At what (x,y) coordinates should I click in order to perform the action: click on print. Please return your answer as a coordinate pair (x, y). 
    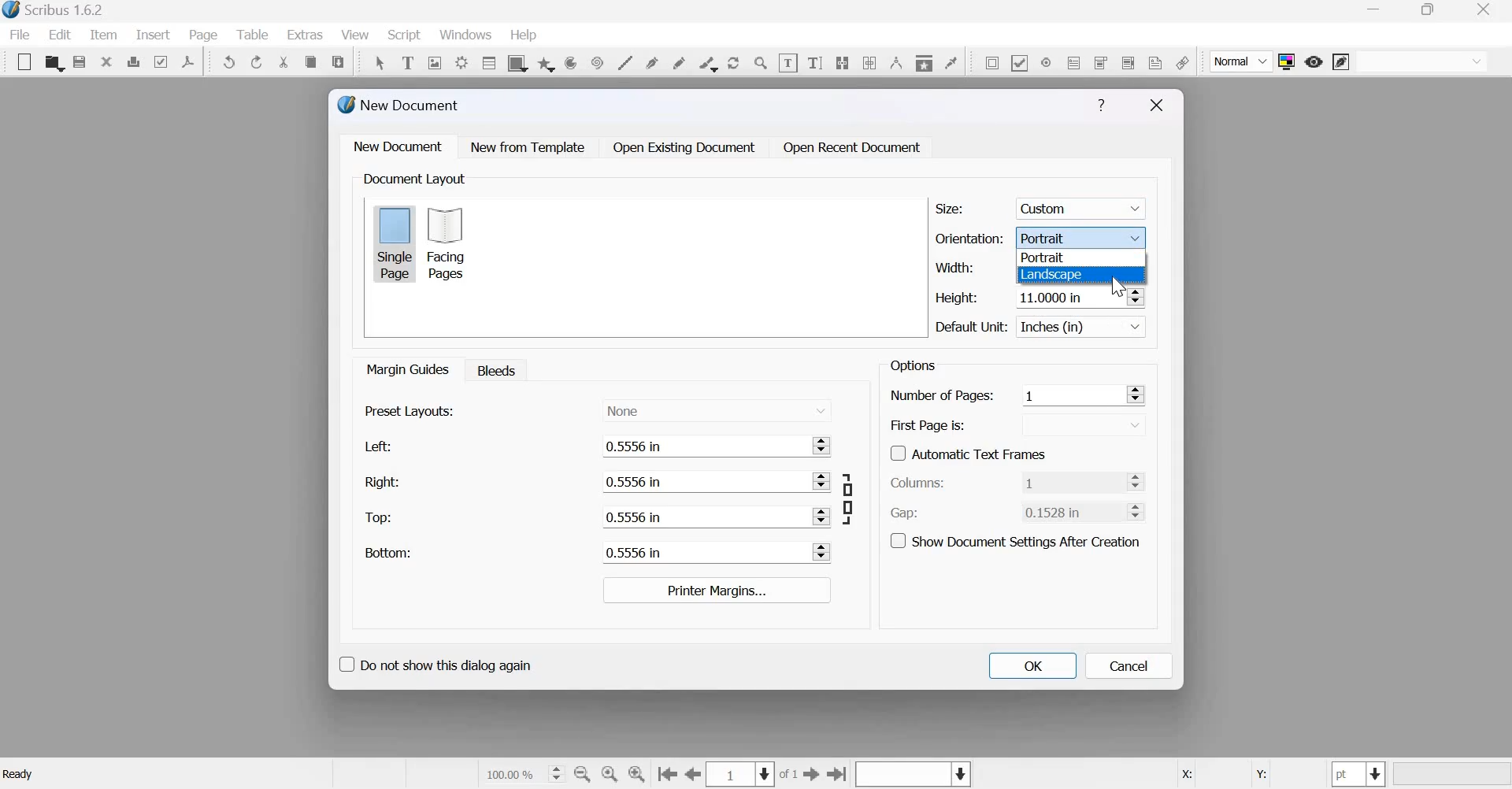
    Looking at the image, I should click on (133, 61).